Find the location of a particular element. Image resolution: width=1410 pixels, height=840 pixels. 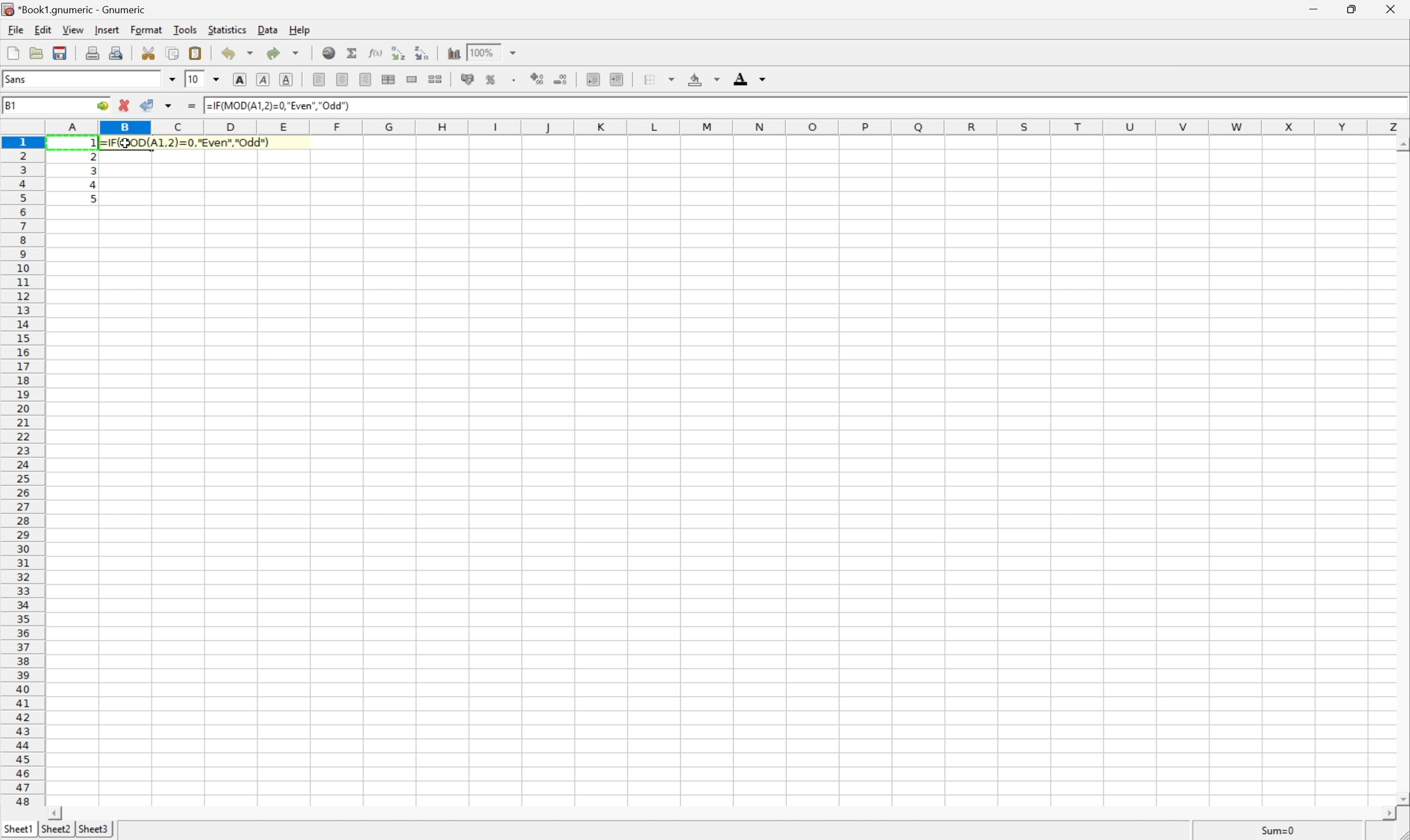

Set the format of the selected cells to include a thousands separator is located at coordinates (514, 79).